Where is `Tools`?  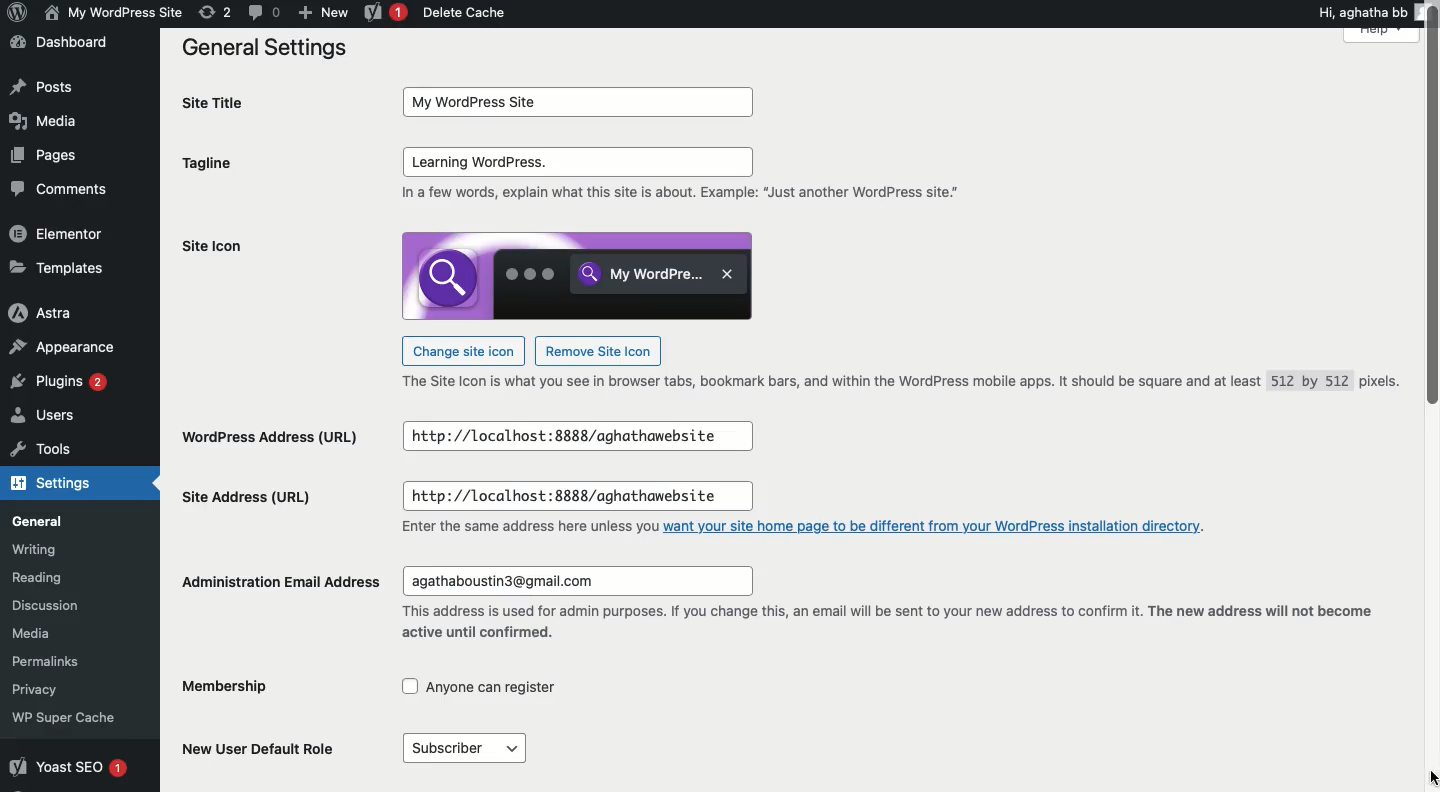 Tools is located at coordinates (52, 450).